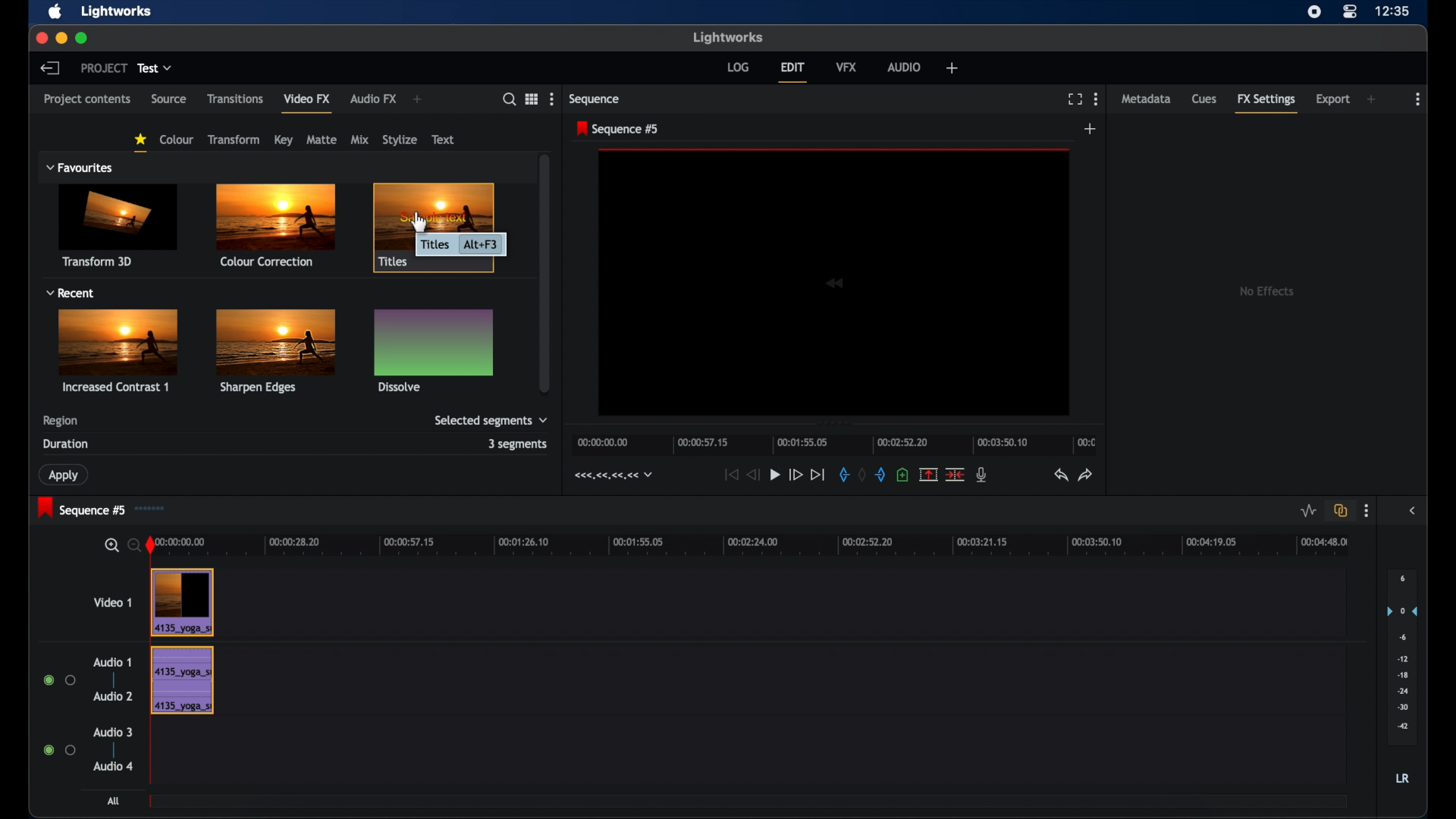  What do you see at coordinates (1338, 511) in the screenshot?
I see `toggle all all track sync` at bounding box center [1338, 511].